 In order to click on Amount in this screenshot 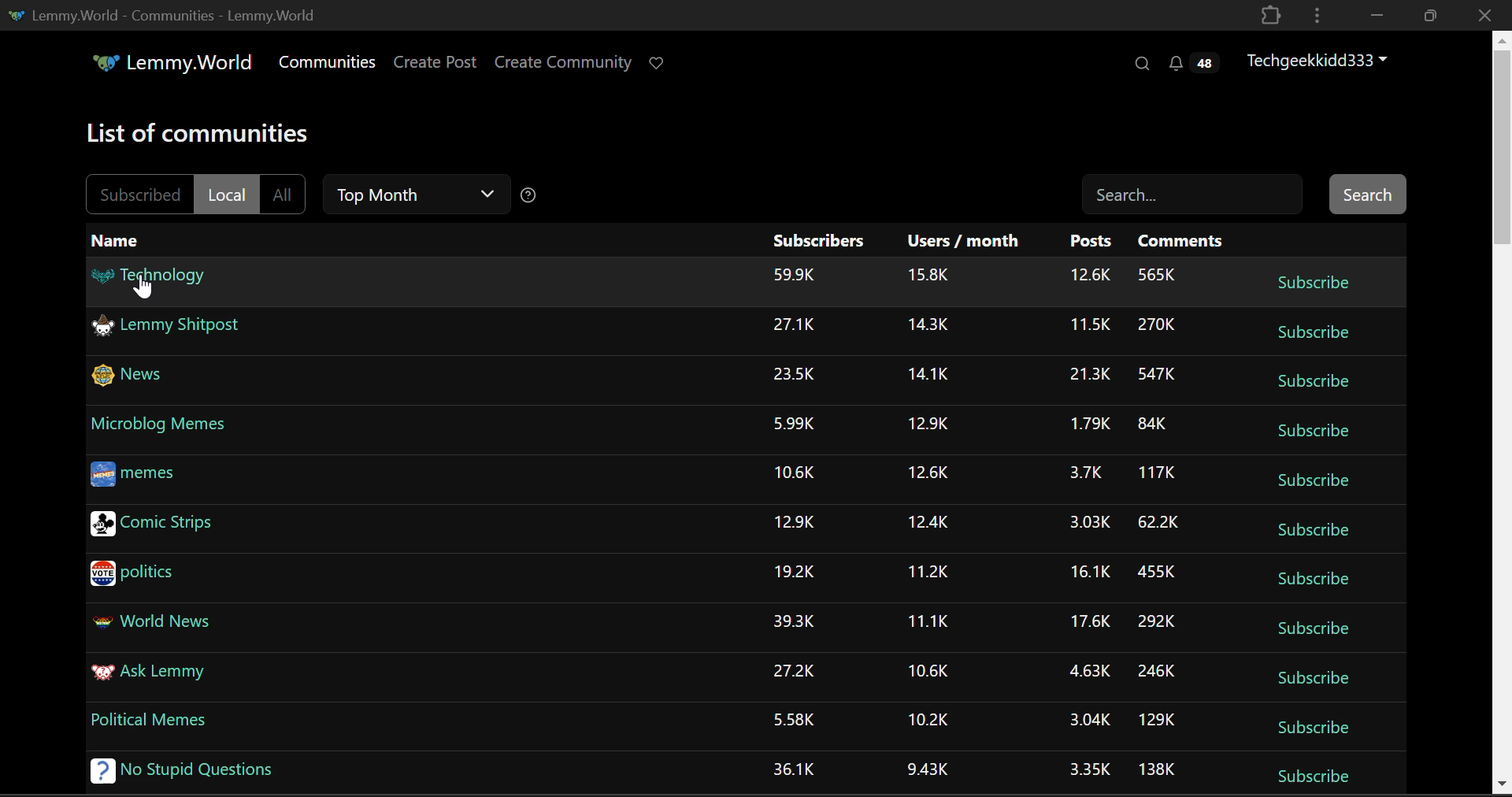, I will do `click(1156, 474)`.